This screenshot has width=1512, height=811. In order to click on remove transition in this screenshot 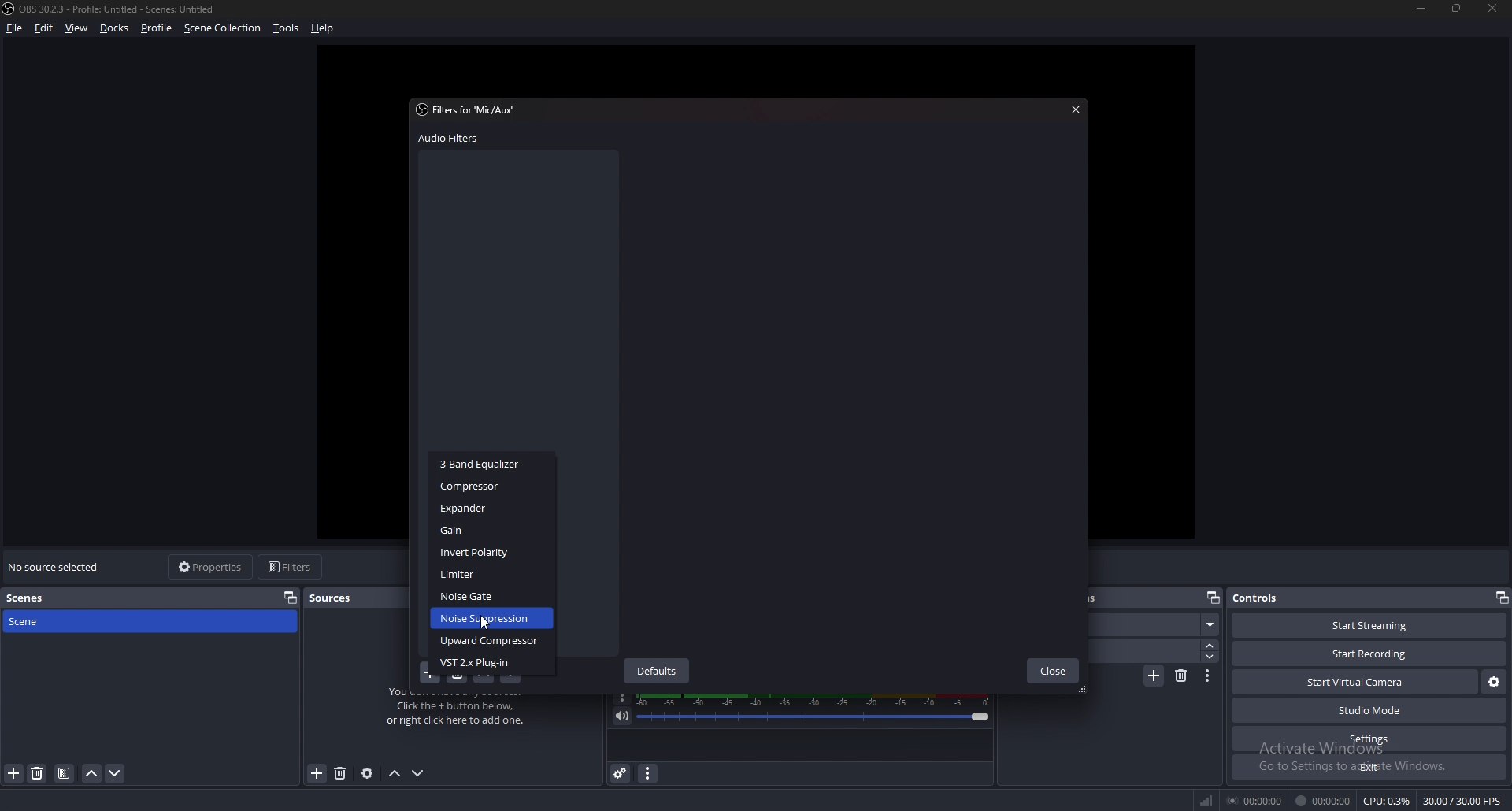, I will do `click(1182, 678)`.